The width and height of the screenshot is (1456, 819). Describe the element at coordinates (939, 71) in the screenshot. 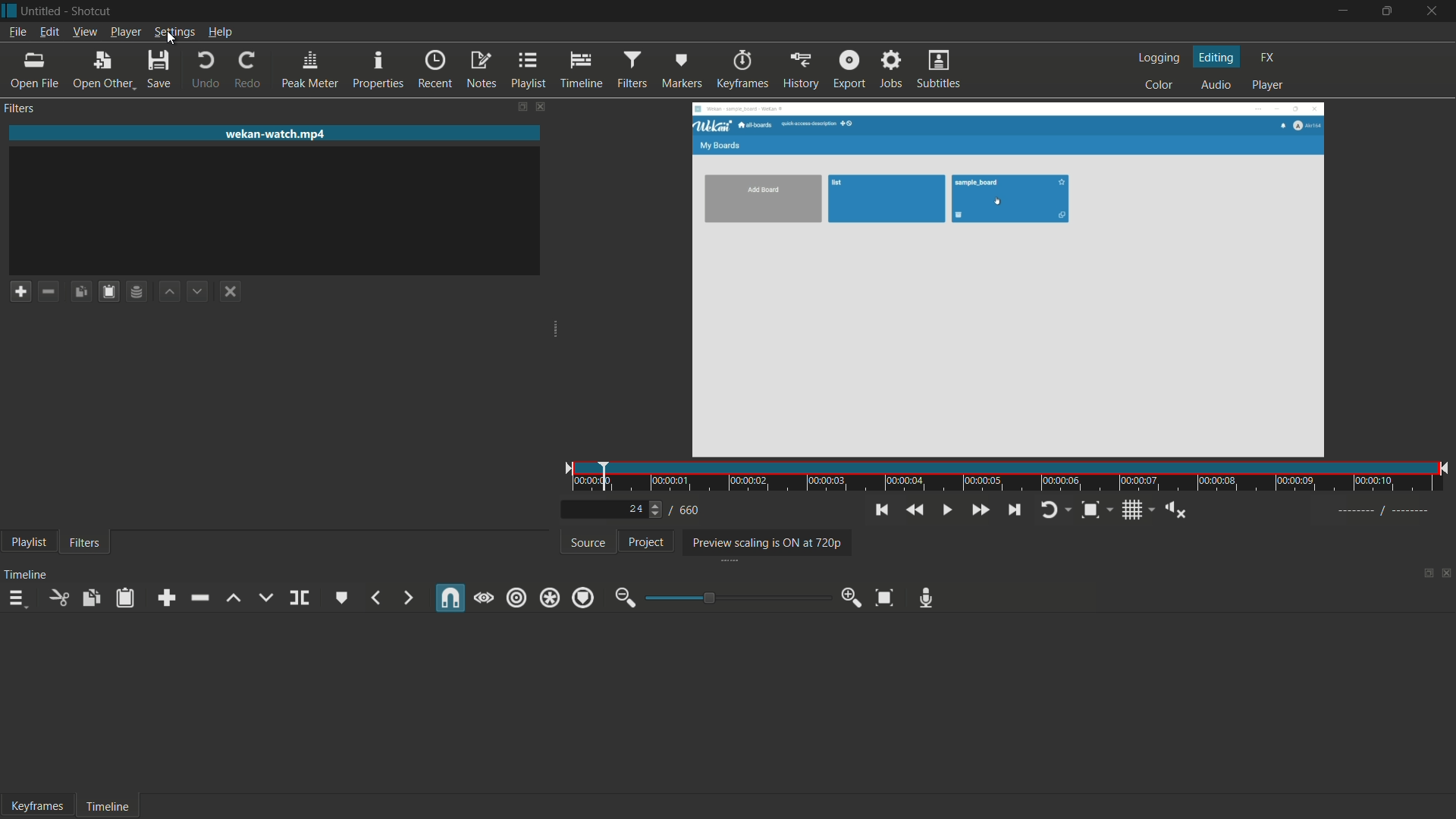

I see `subtitles` at that location.